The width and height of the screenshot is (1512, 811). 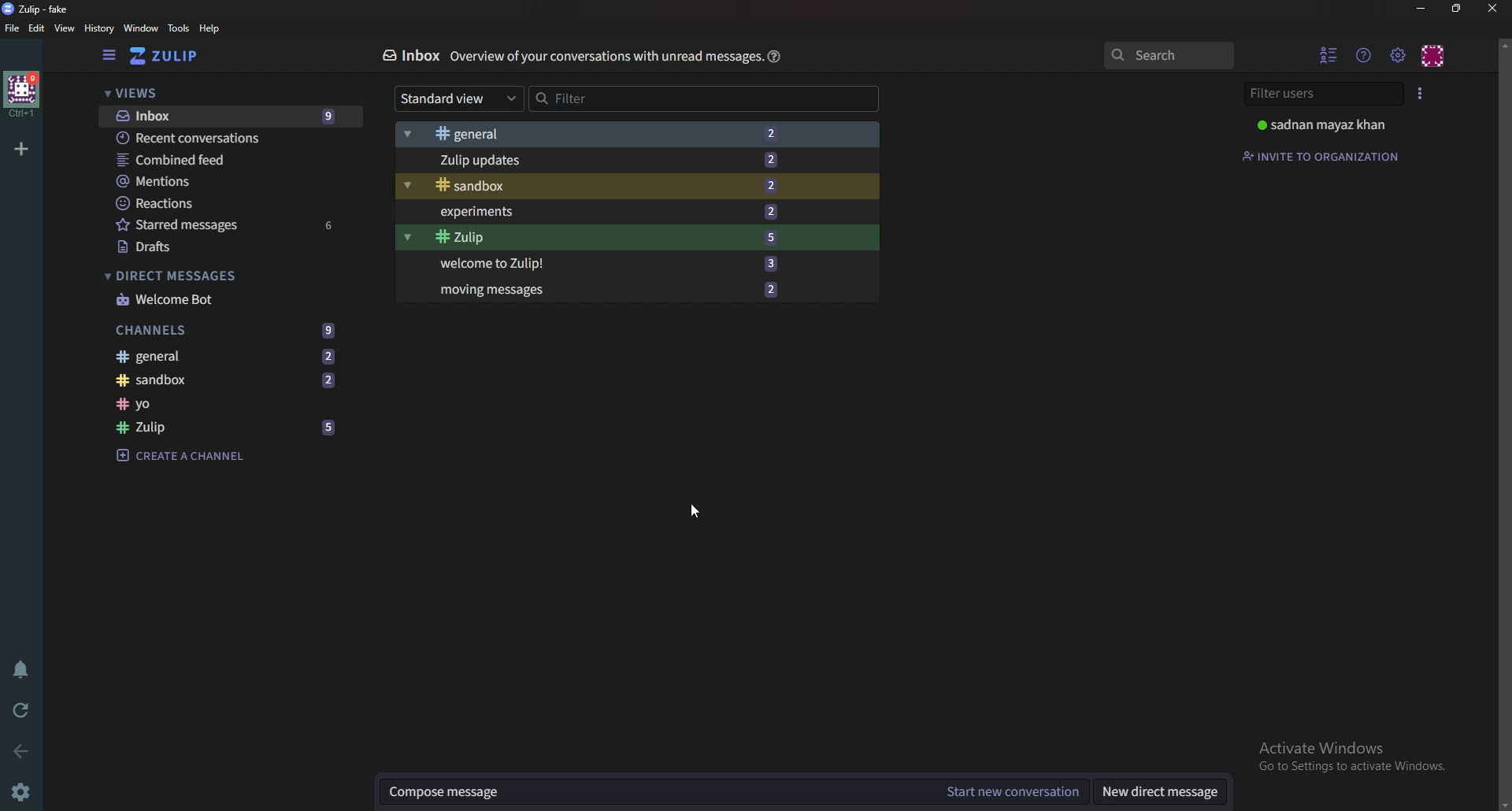 What do you see at coordinates (1432, 54) in the screenshot?
I see `Personal menu` at bounding box center [1432, 54].